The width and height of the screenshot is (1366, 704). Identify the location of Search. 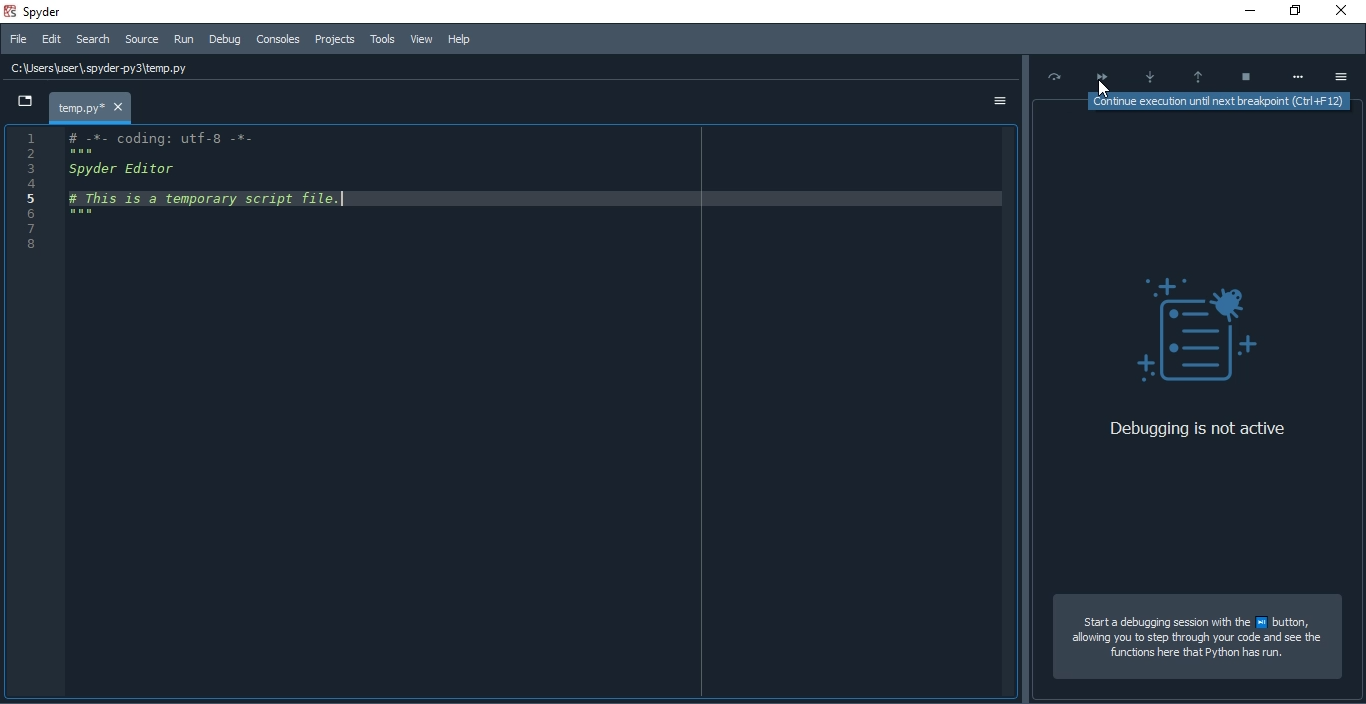
(91, 40).